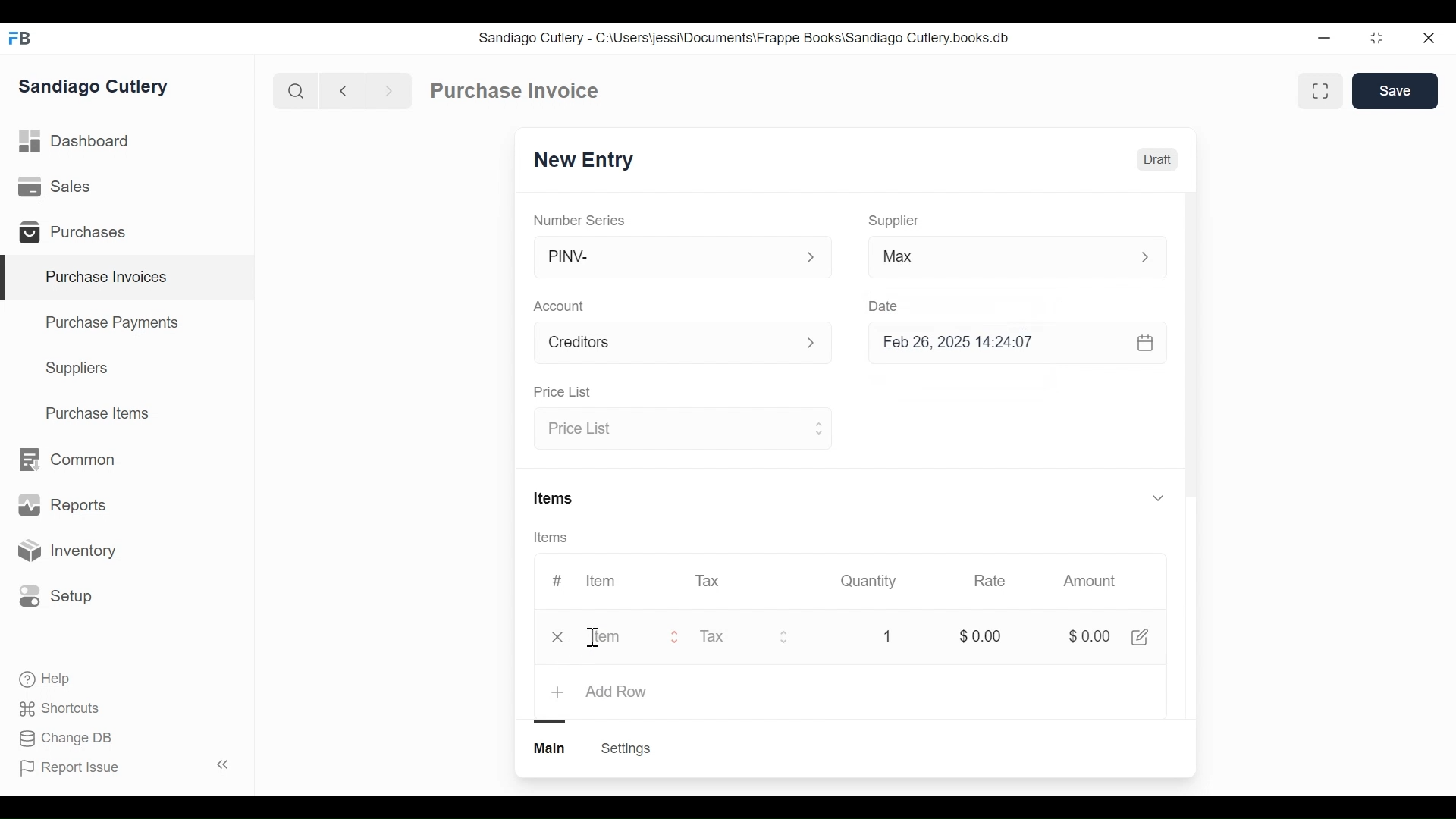 The image size is (1456, 819). I want to click on $0.00, so click(1088, 638).